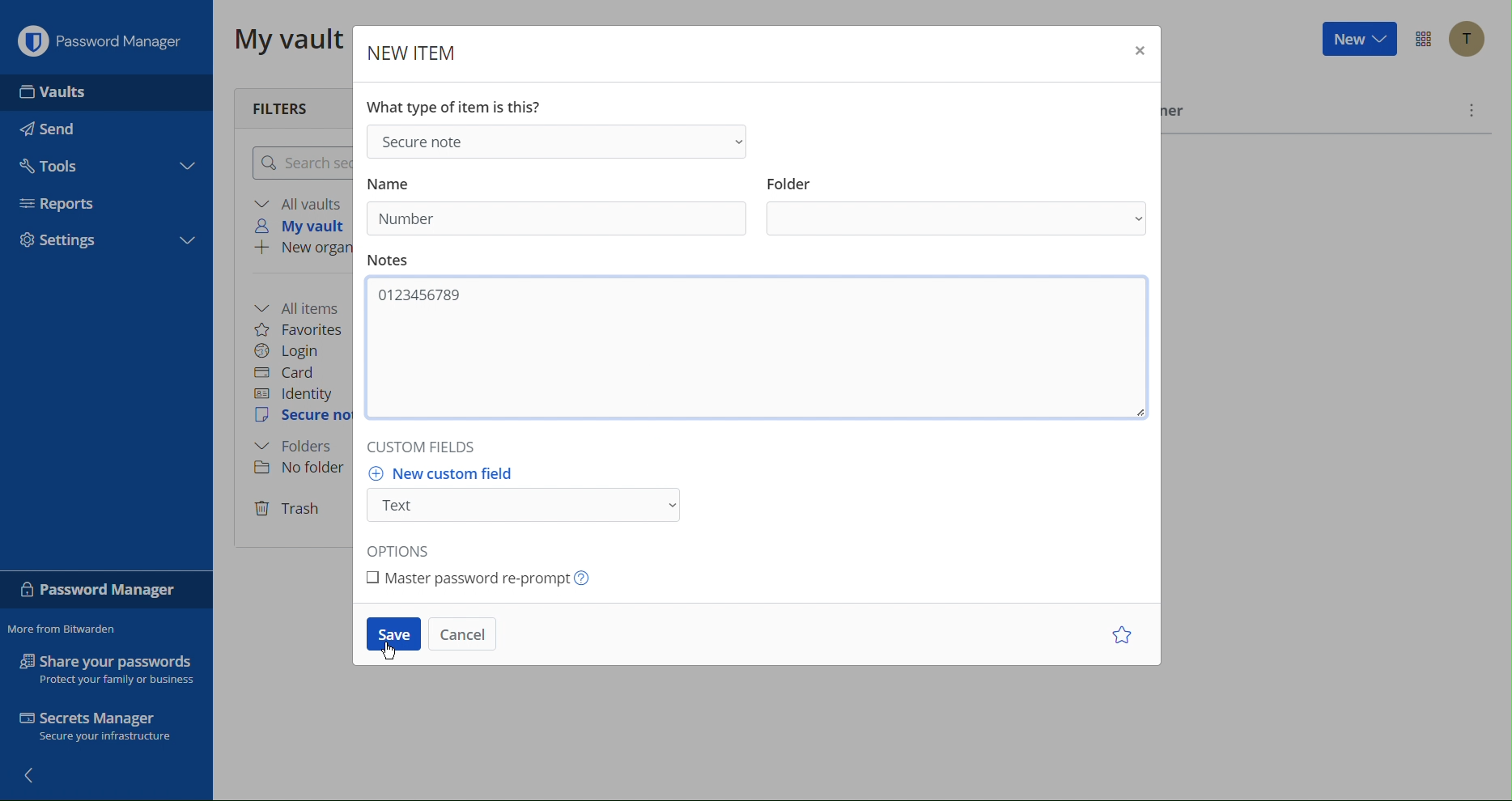  What do you see at coordinates (55, 165) in the screenshot?
I see `Tools` at bounding box center [55, 165].